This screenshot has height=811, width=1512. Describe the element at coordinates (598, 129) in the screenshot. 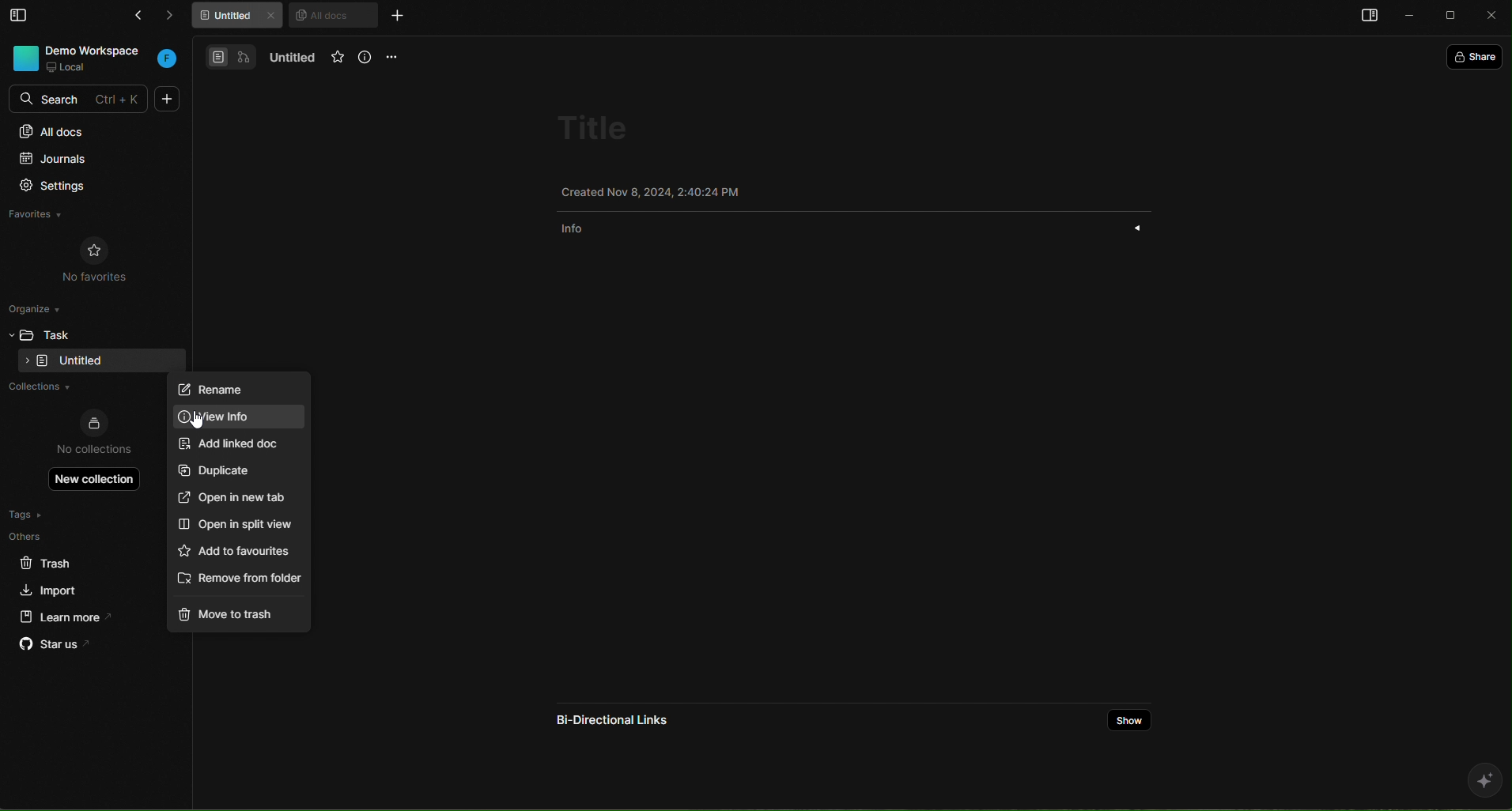

I see `title` at that location.